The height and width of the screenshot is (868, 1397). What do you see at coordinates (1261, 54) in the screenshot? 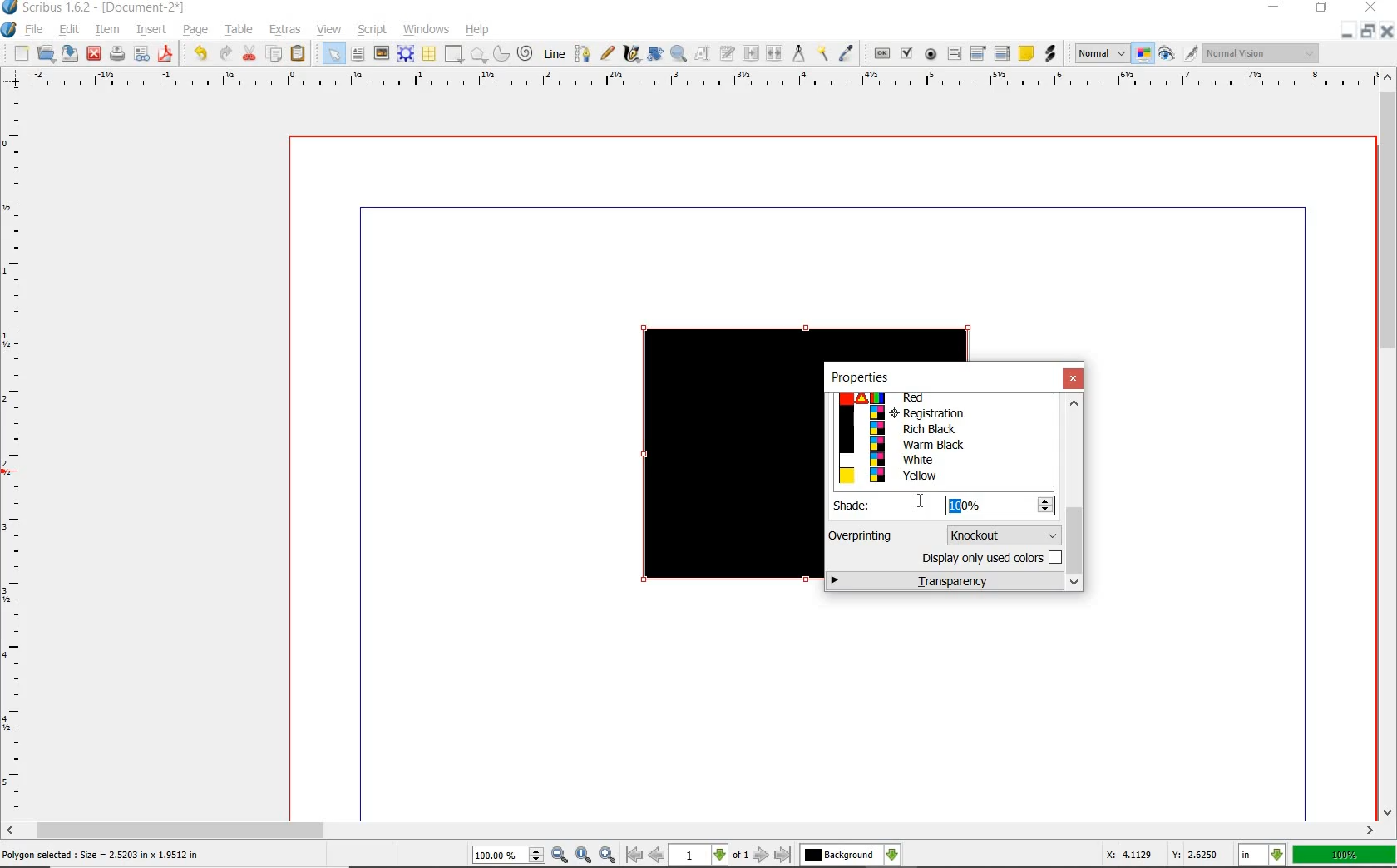
I see `Visual appearance of the display` at bounding box center [1261, 54].